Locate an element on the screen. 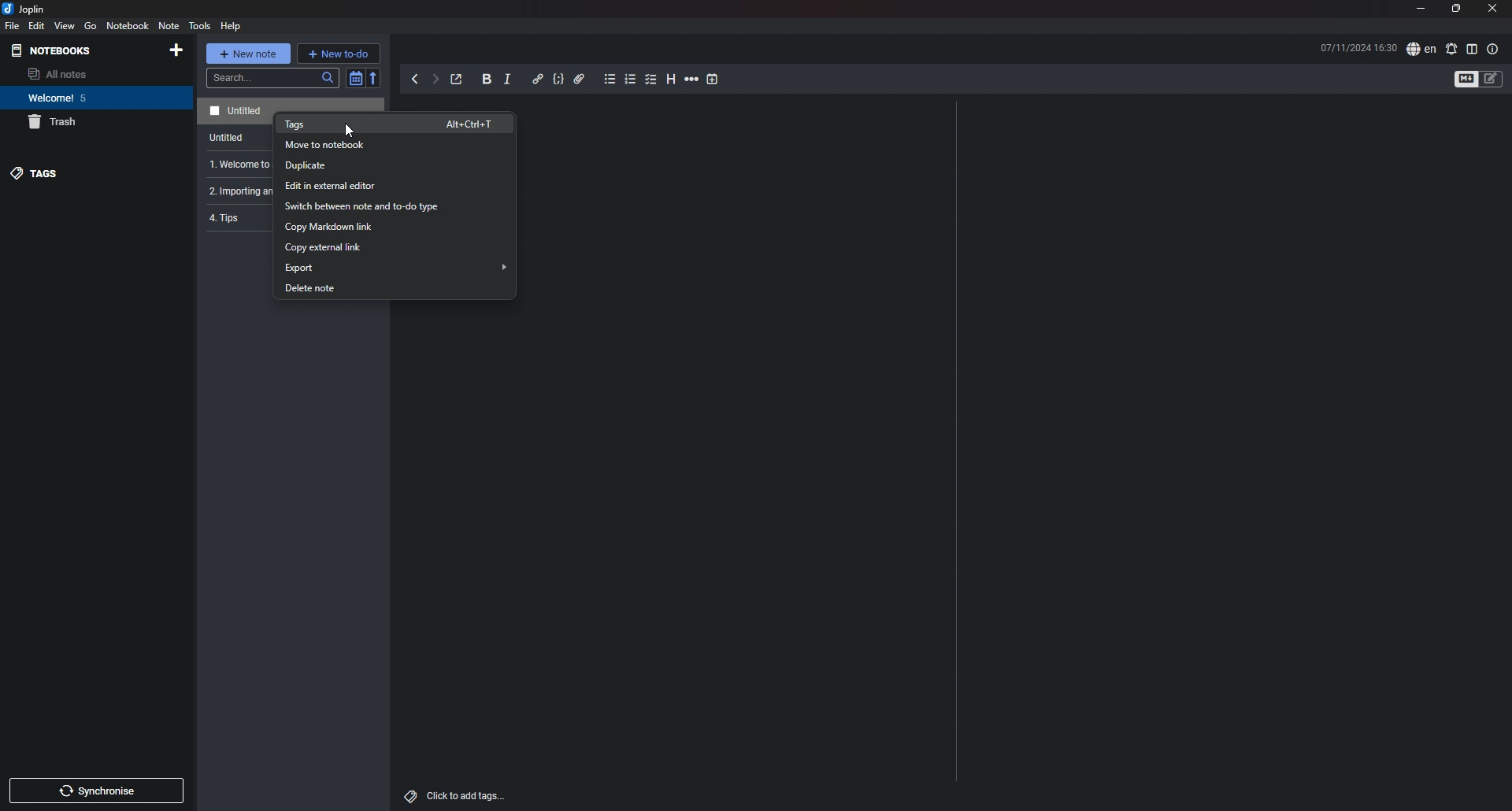 The width and height of the screenshot is (1512, 811). forward is located at coordinates (435, 81).